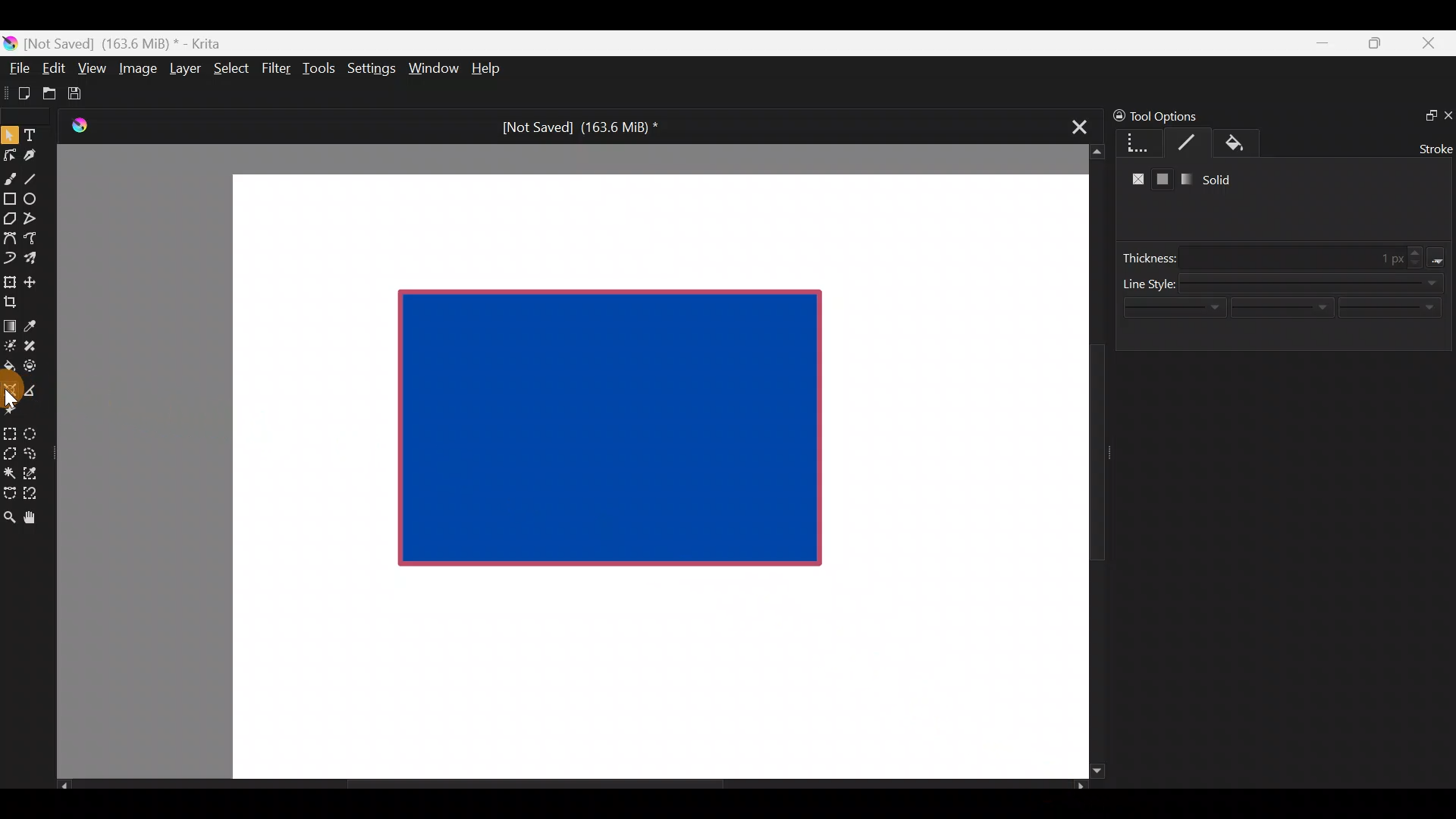 The image size is (1456, 819). What do you see at coordinates (15, 71) in the screenshot?
I see `File` at bounding box center [15, 71].